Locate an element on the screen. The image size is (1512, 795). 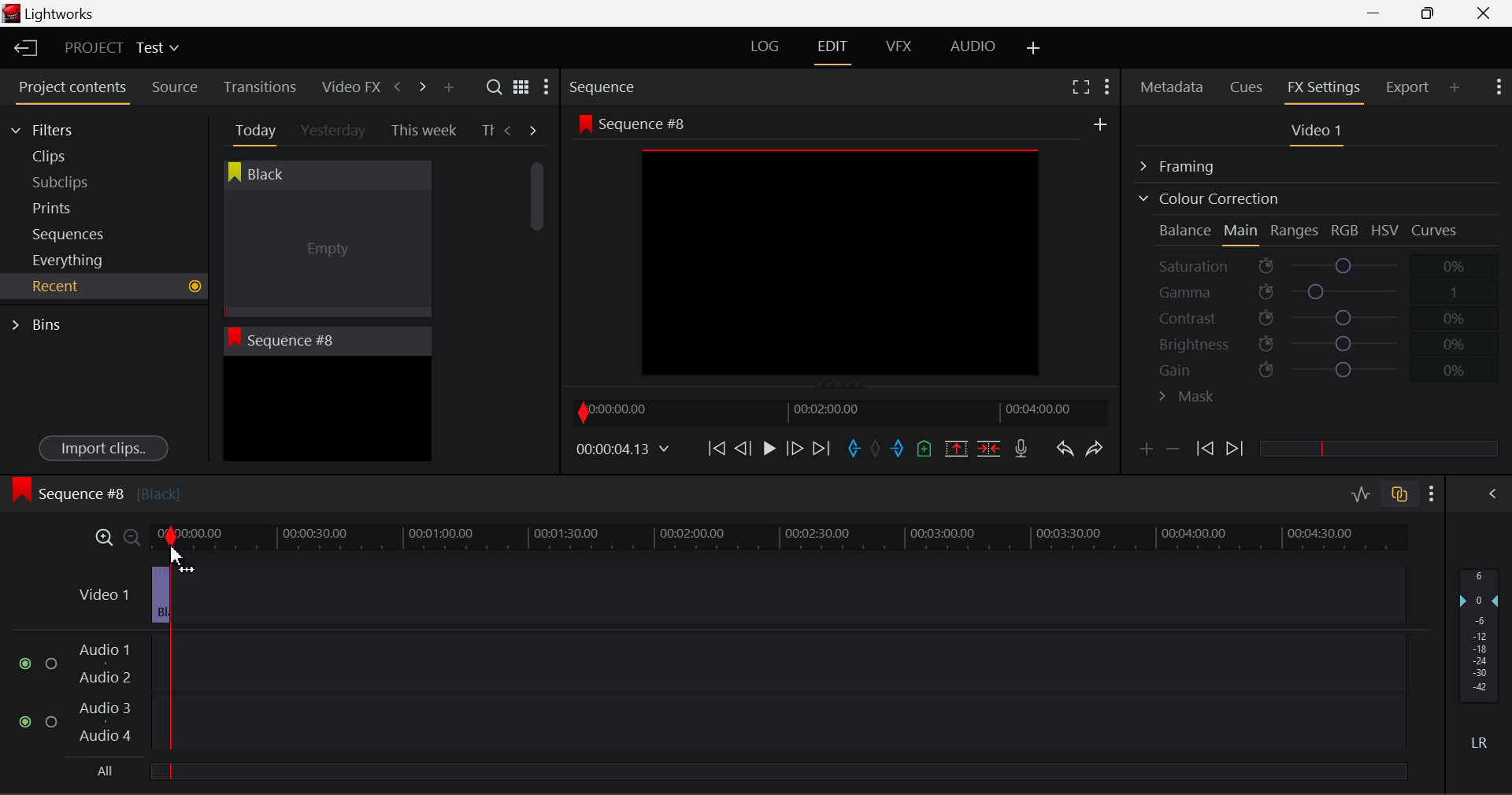
Ranges is located at coordinates (1295, 232).